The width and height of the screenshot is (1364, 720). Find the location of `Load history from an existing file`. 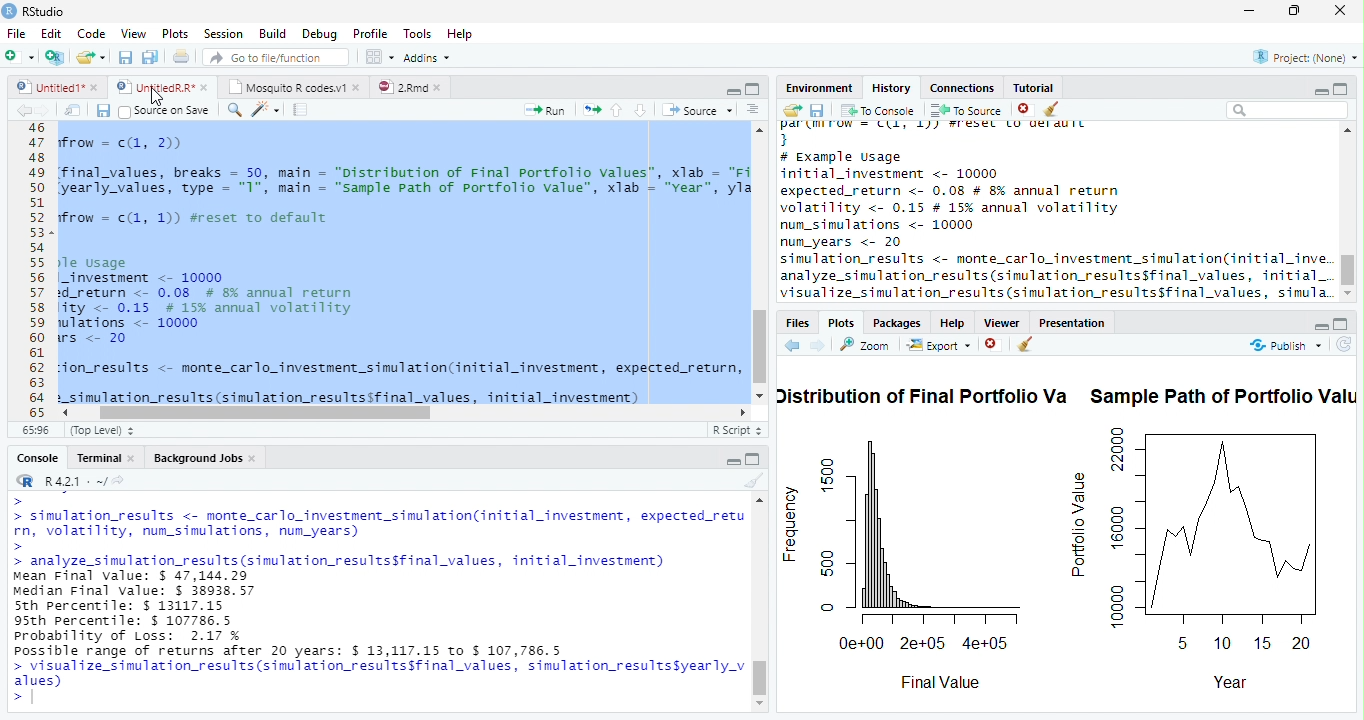

Load history from an existing file is located at coordinates (791, 111).